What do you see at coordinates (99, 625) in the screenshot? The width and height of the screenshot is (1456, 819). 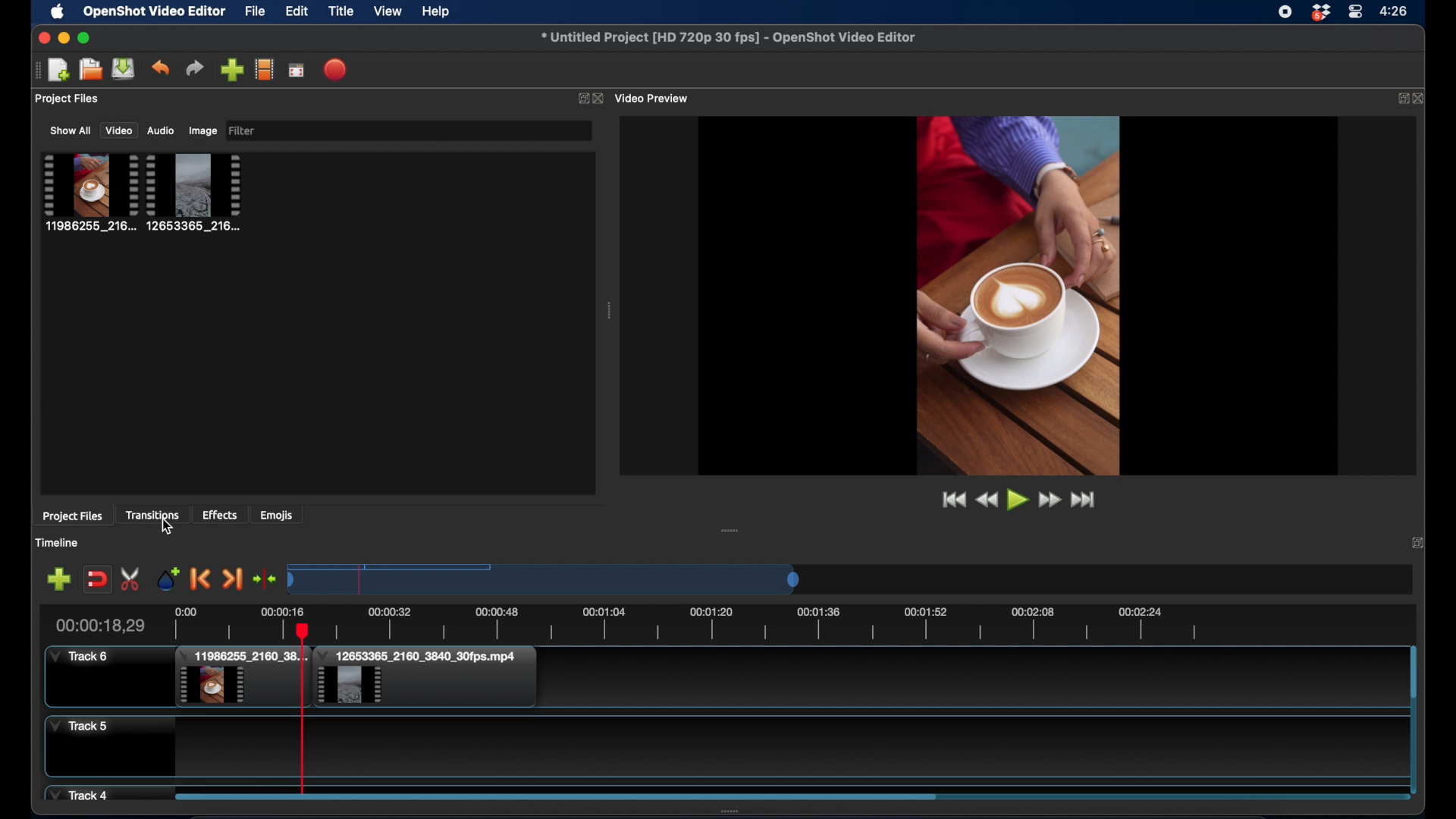 I see `current time indicator` at bounding box center [99, 625].